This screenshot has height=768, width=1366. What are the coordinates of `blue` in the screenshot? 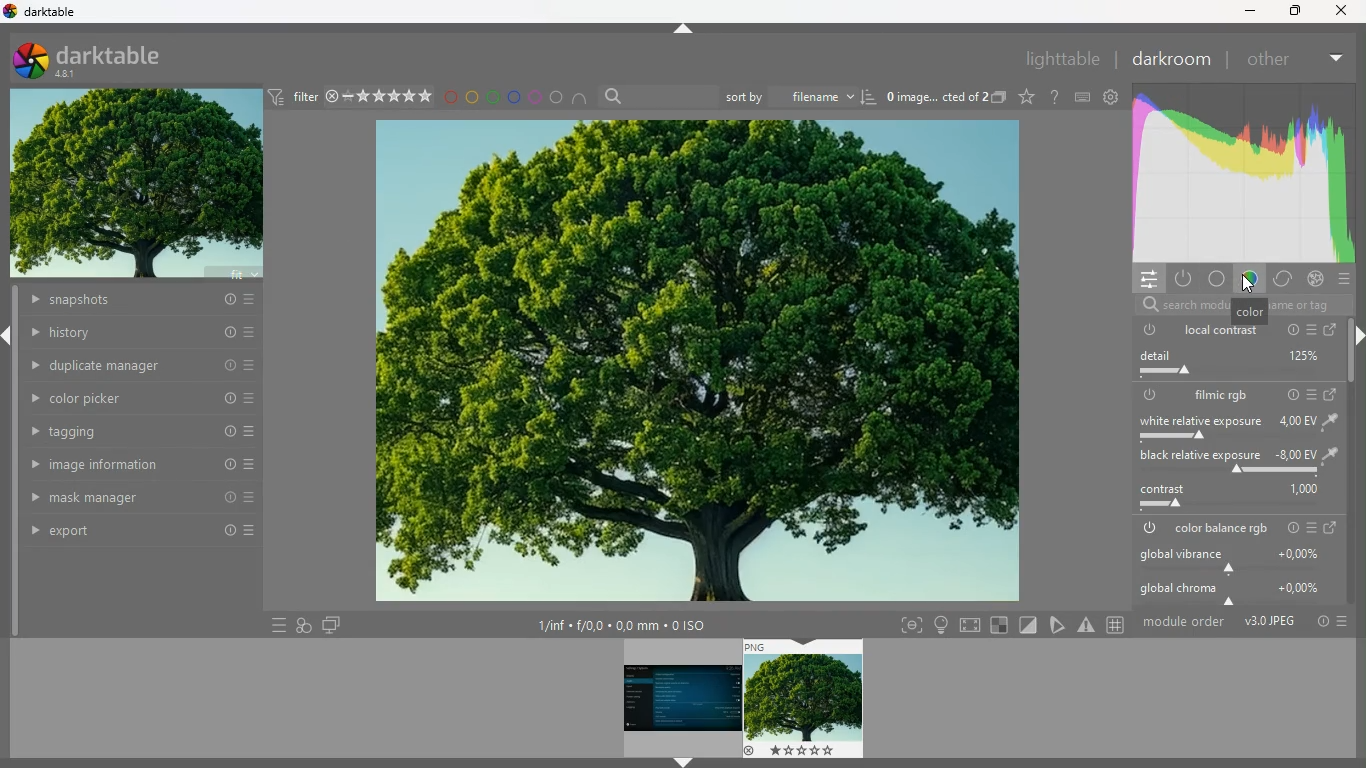 It's located at (514, 97).